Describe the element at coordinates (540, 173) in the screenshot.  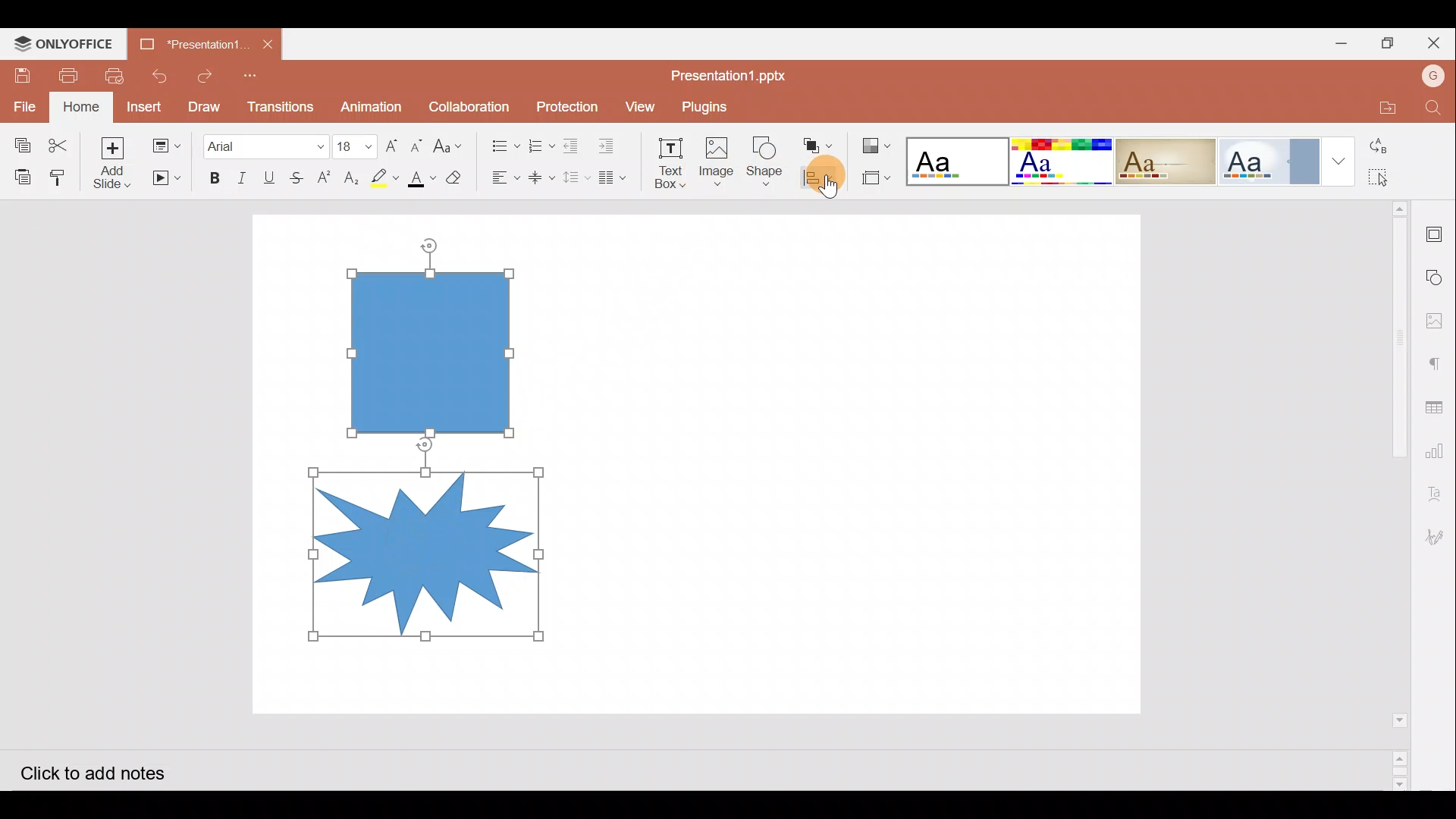
I see `Vertical align` at that location.